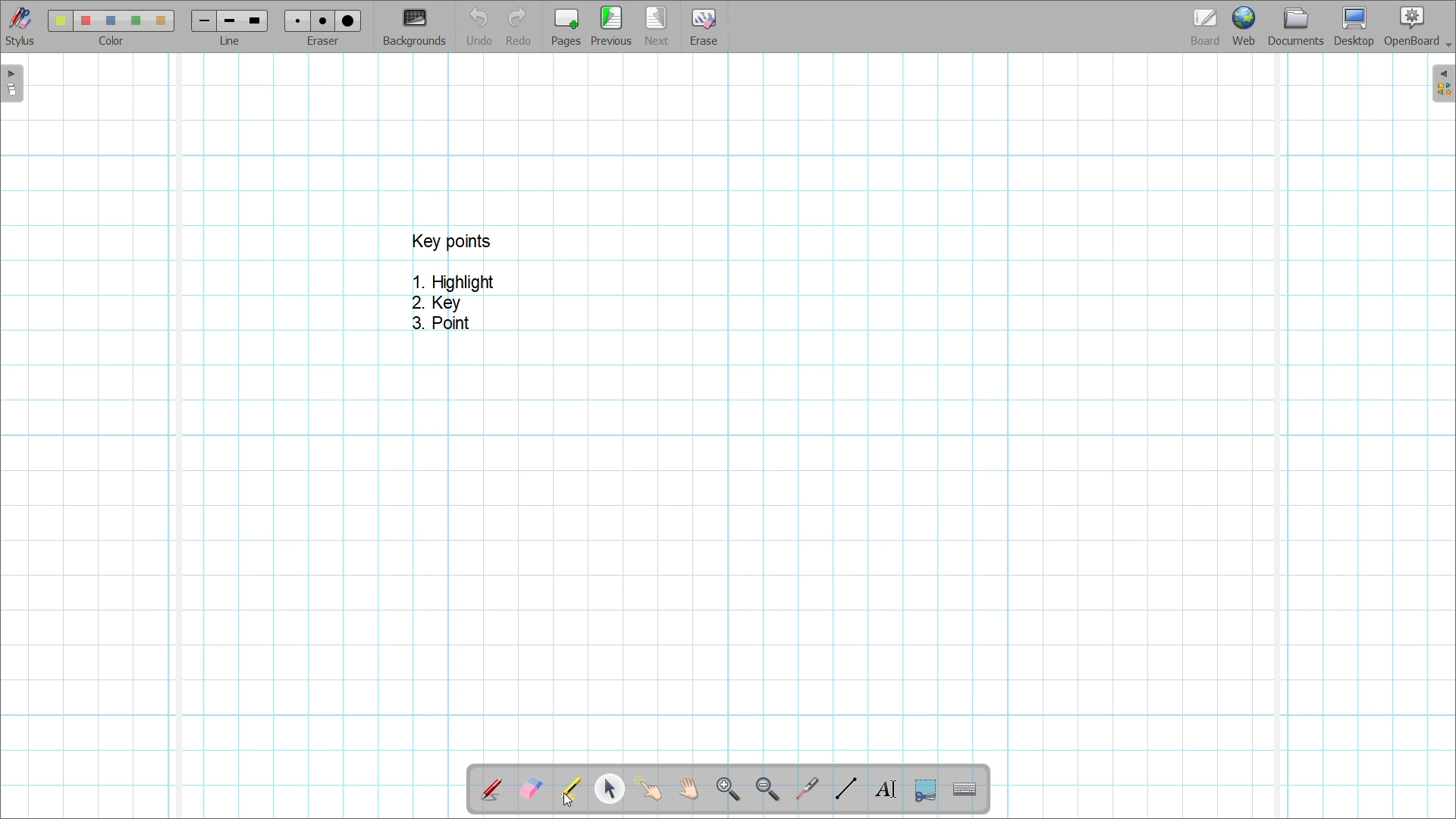 Image resolution: width=1456 pixels, height=819 pixels. What do you see at coordinates (111, 21) in the screenshot?
I see `color3` at bounding box center [111, 21].